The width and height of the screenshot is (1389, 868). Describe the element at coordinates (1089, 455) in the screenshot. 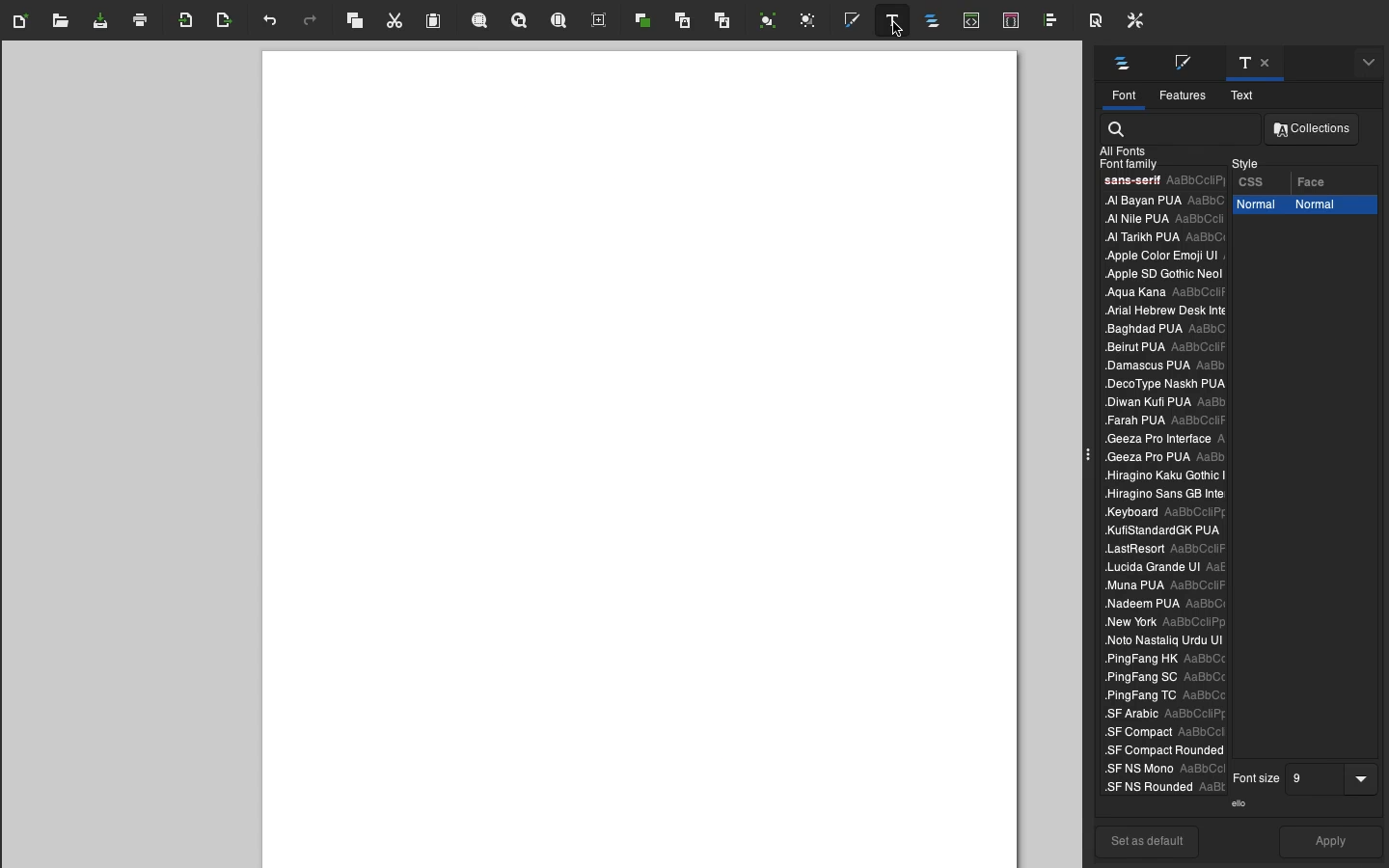

I see `Expand` at that location.